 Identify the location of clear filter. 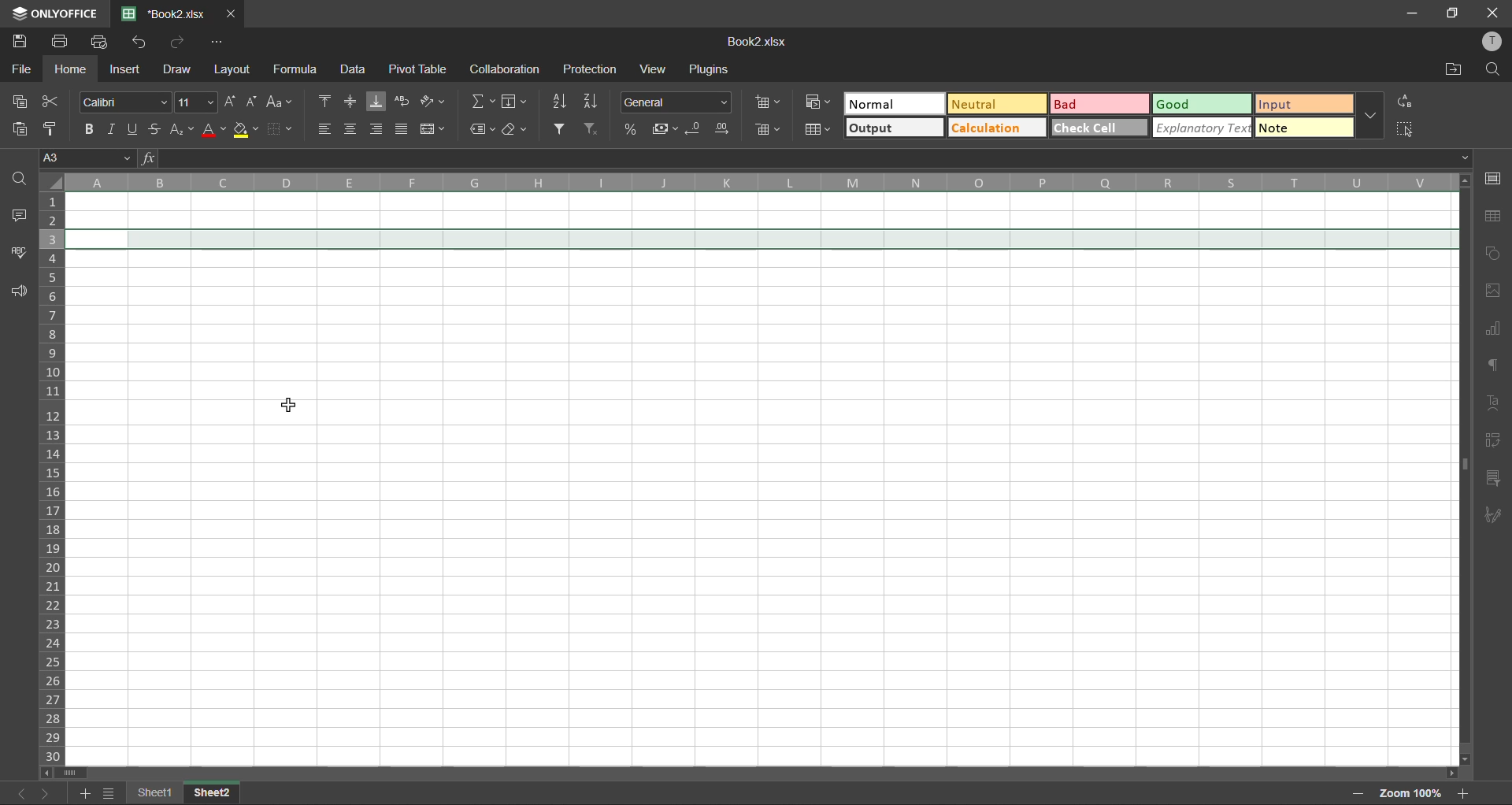
(590, 131).